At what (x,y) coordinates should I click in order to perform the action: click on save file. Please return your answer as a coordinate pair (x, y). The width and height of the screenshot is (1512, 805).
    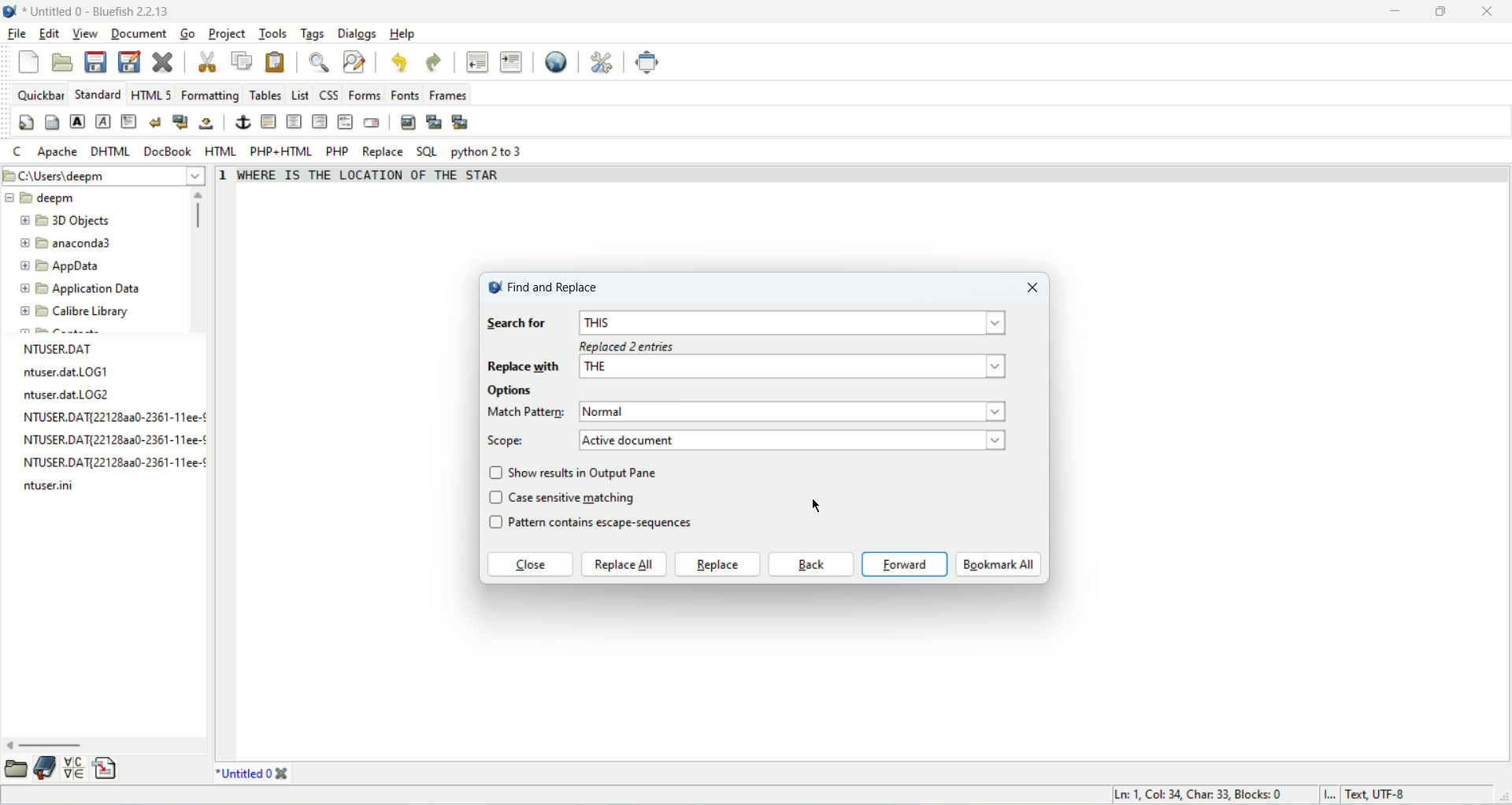
    Looking at the image, I should click on (98, 62).